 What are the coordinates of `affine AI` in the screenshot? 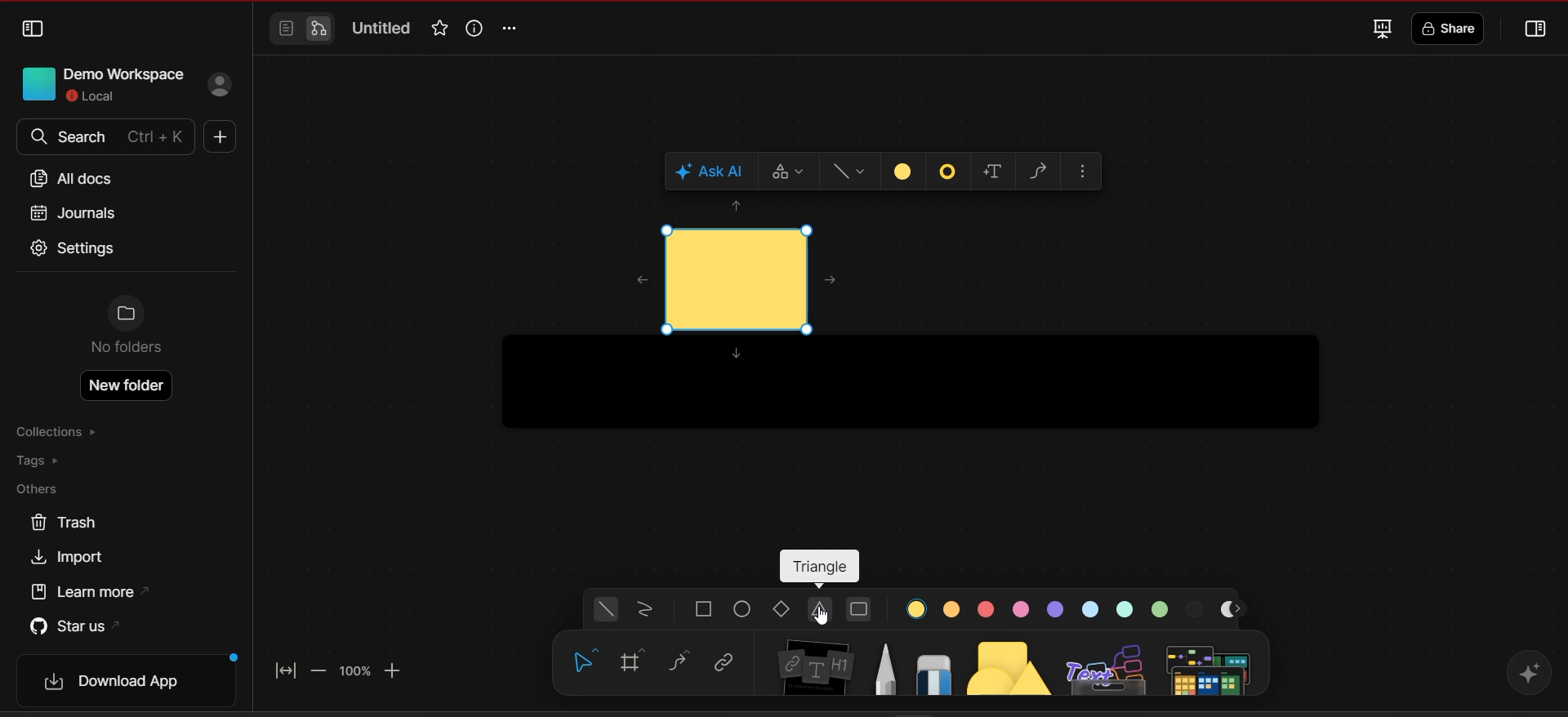 It's located at (1529, 671).